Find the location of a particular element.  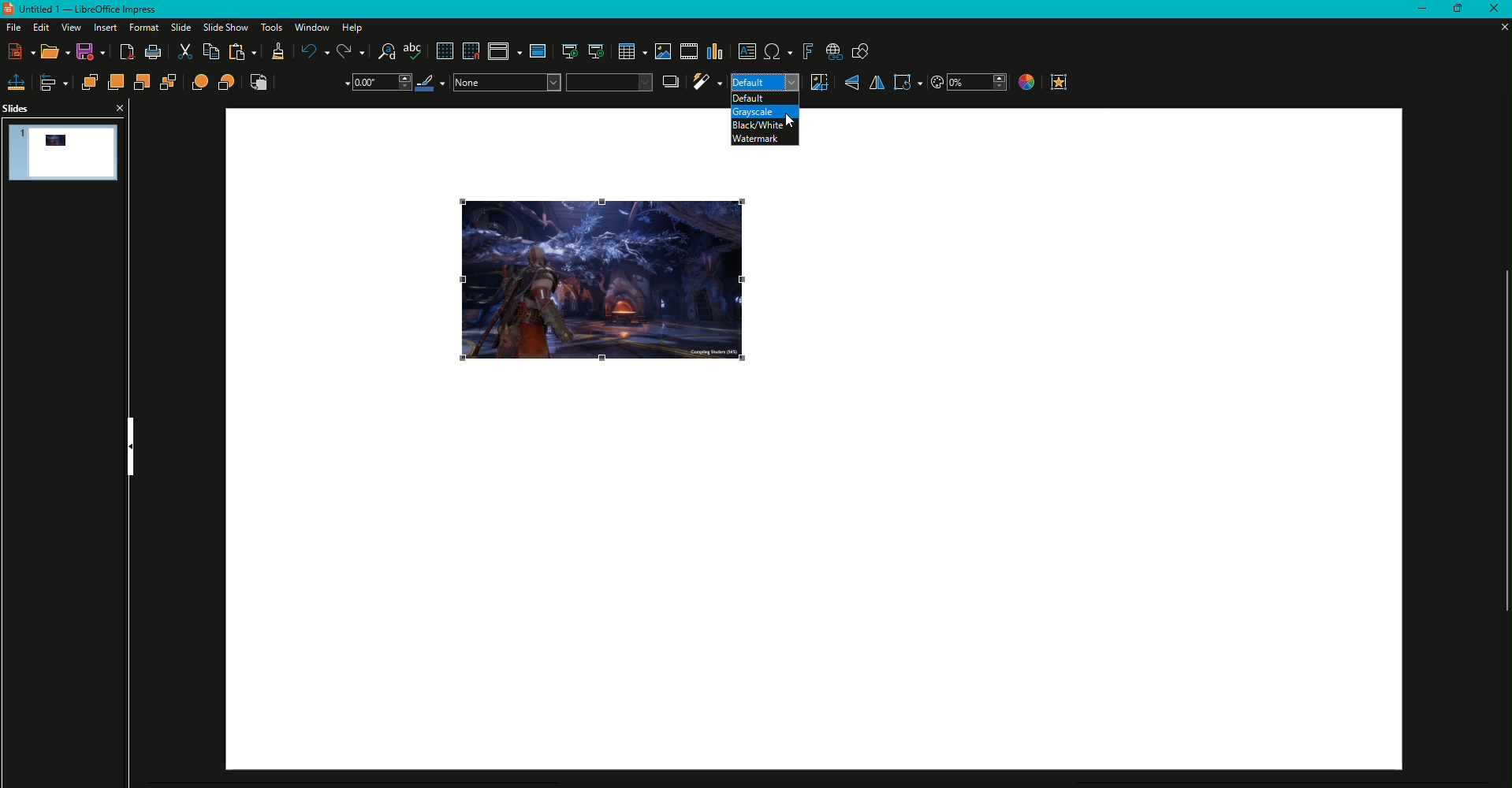

Image Mode is located at coordinates (764, 83).